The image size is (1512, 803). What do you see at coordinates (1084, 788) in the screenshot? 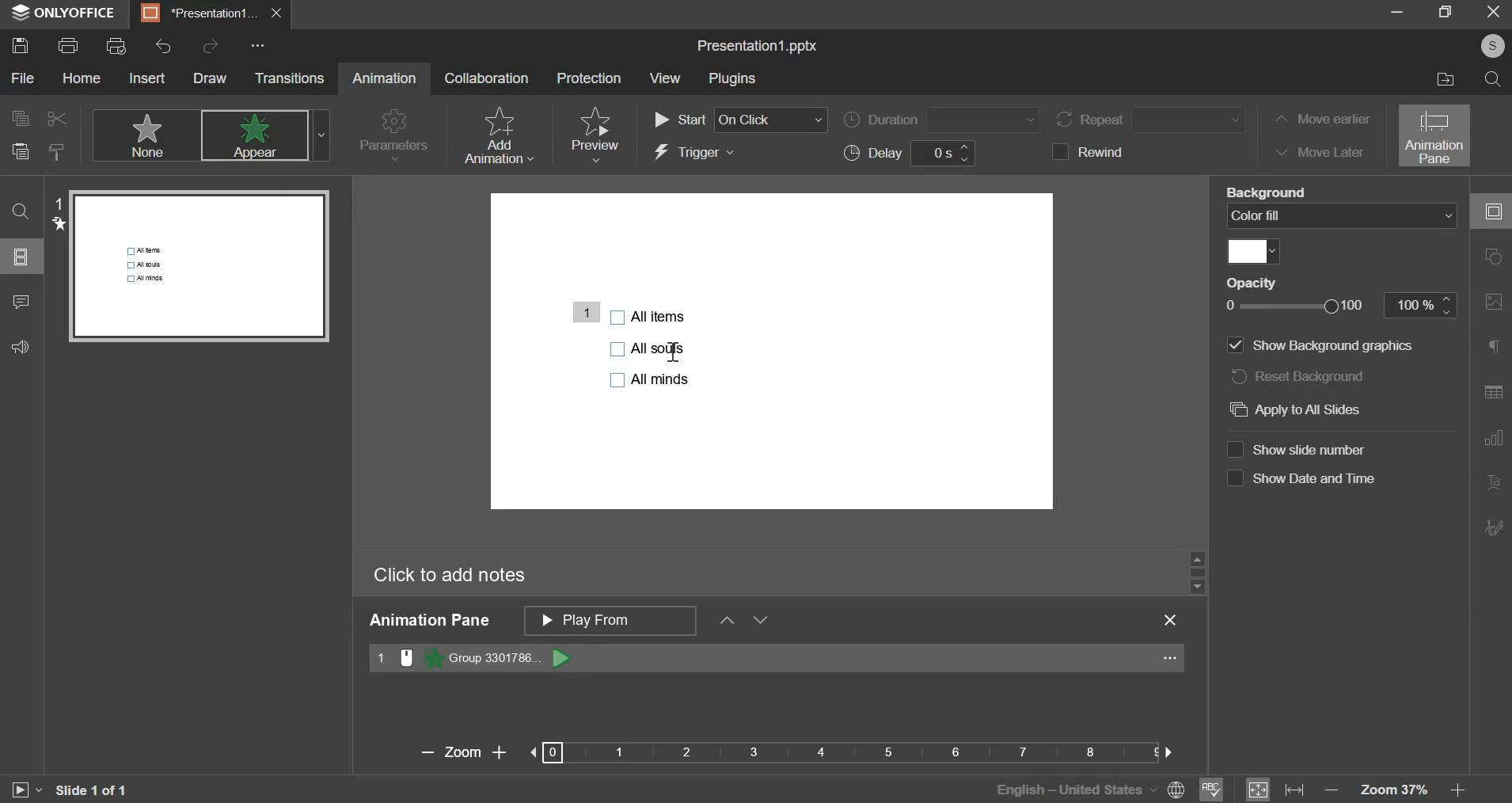
I see `language` at bounding box center [1084, 788].